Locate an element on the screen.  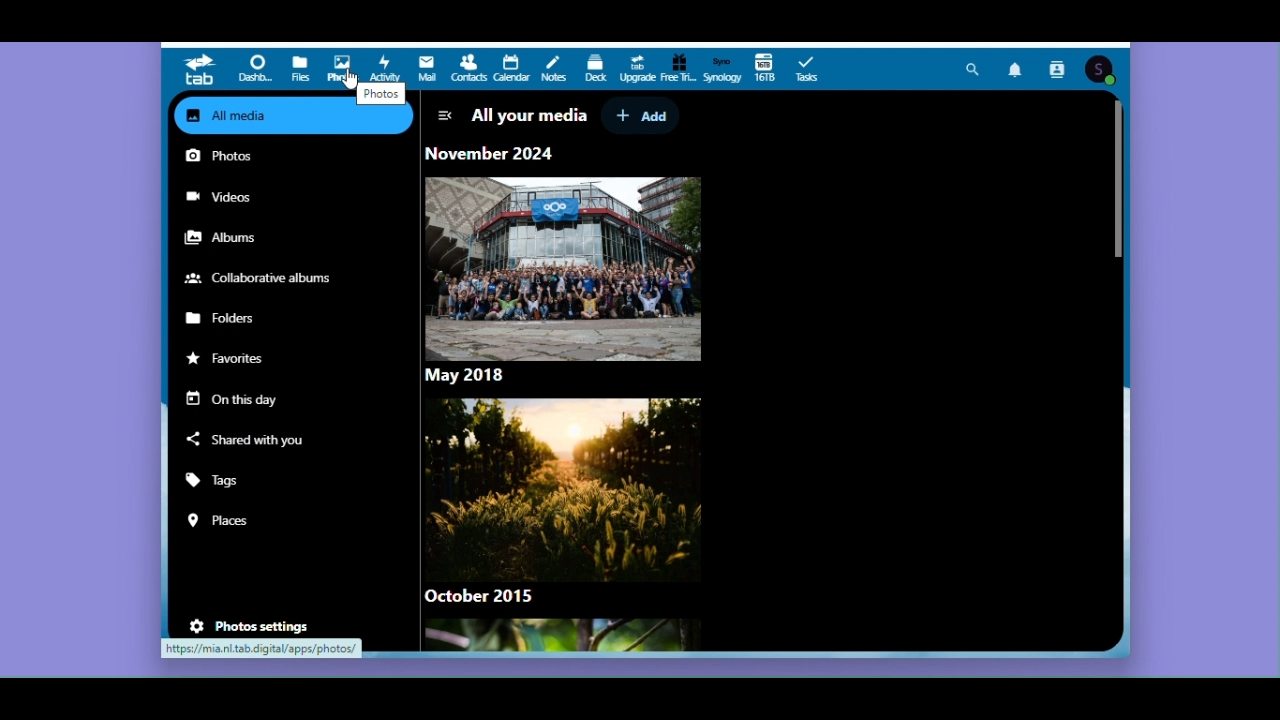
Videos is located at coordinates (227, 196).